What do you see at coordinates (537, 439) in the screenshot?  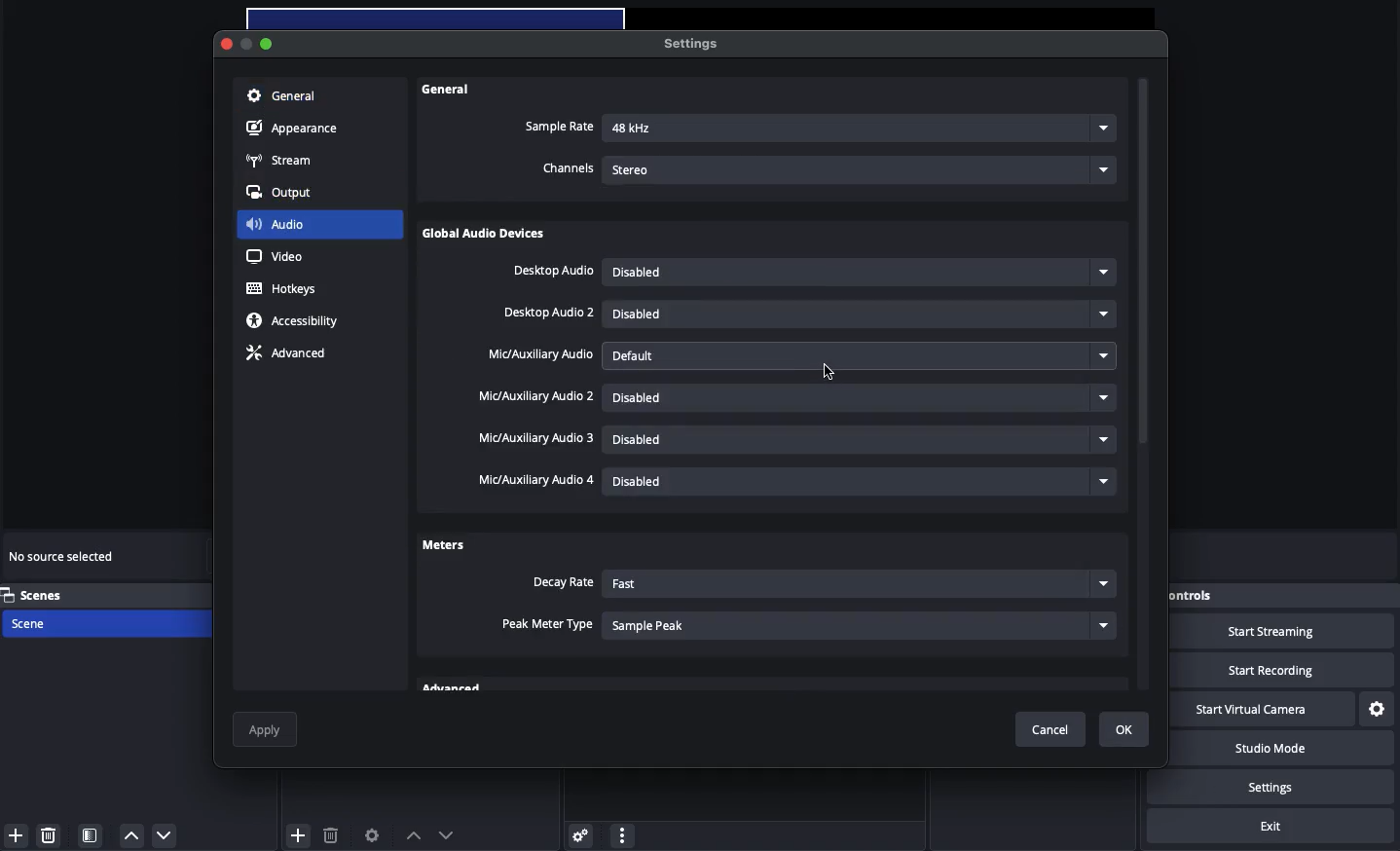 I see `Mic, aux audio 3` at bounding box center [537, 439].